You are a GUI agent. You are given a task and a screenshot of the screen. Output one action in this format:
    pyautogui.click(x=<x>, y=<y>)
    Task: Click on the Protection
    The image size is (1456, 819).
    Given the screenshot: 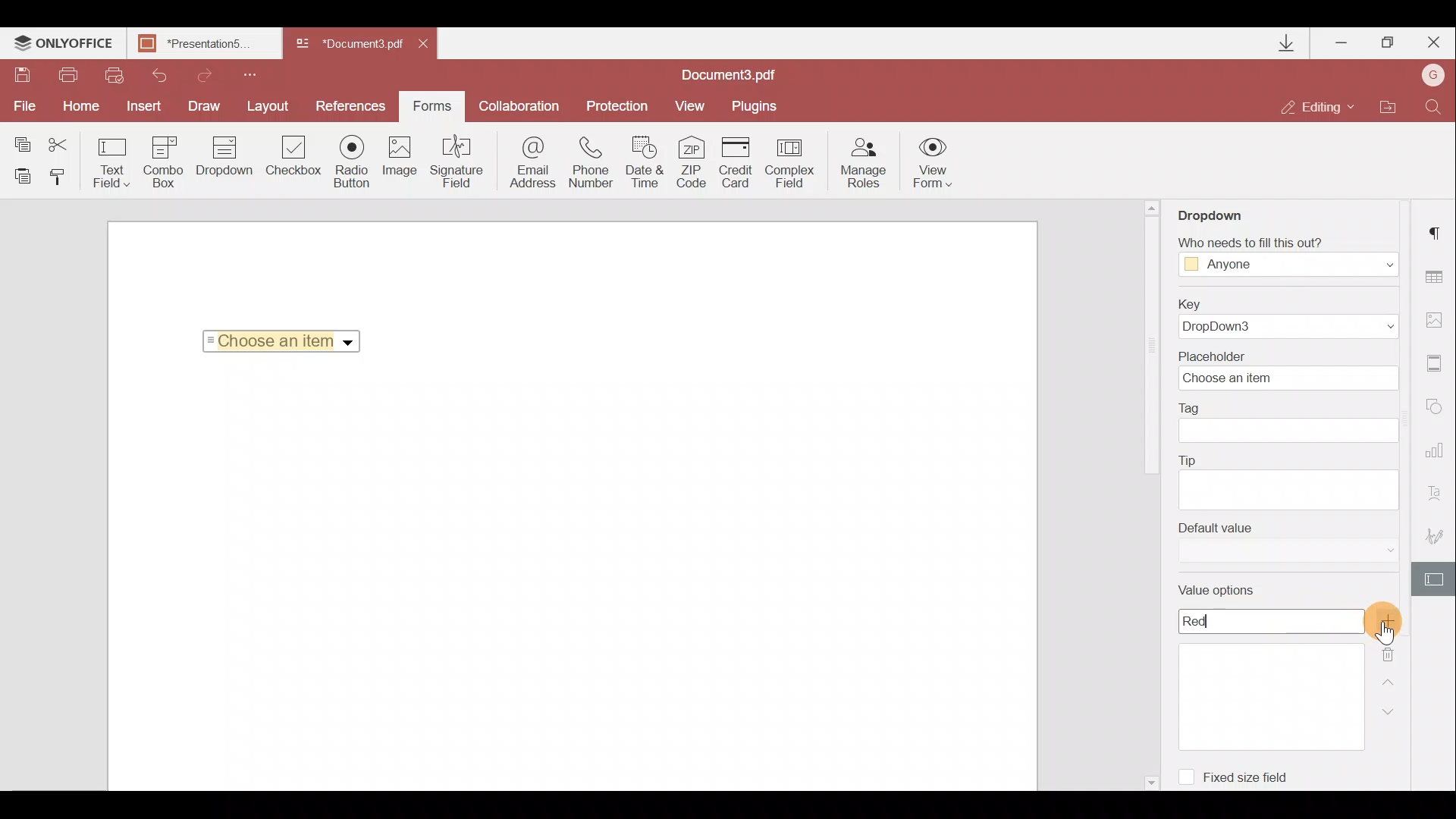 What is the action you would take?
    pyautogui.click(x=613, y=108)
    